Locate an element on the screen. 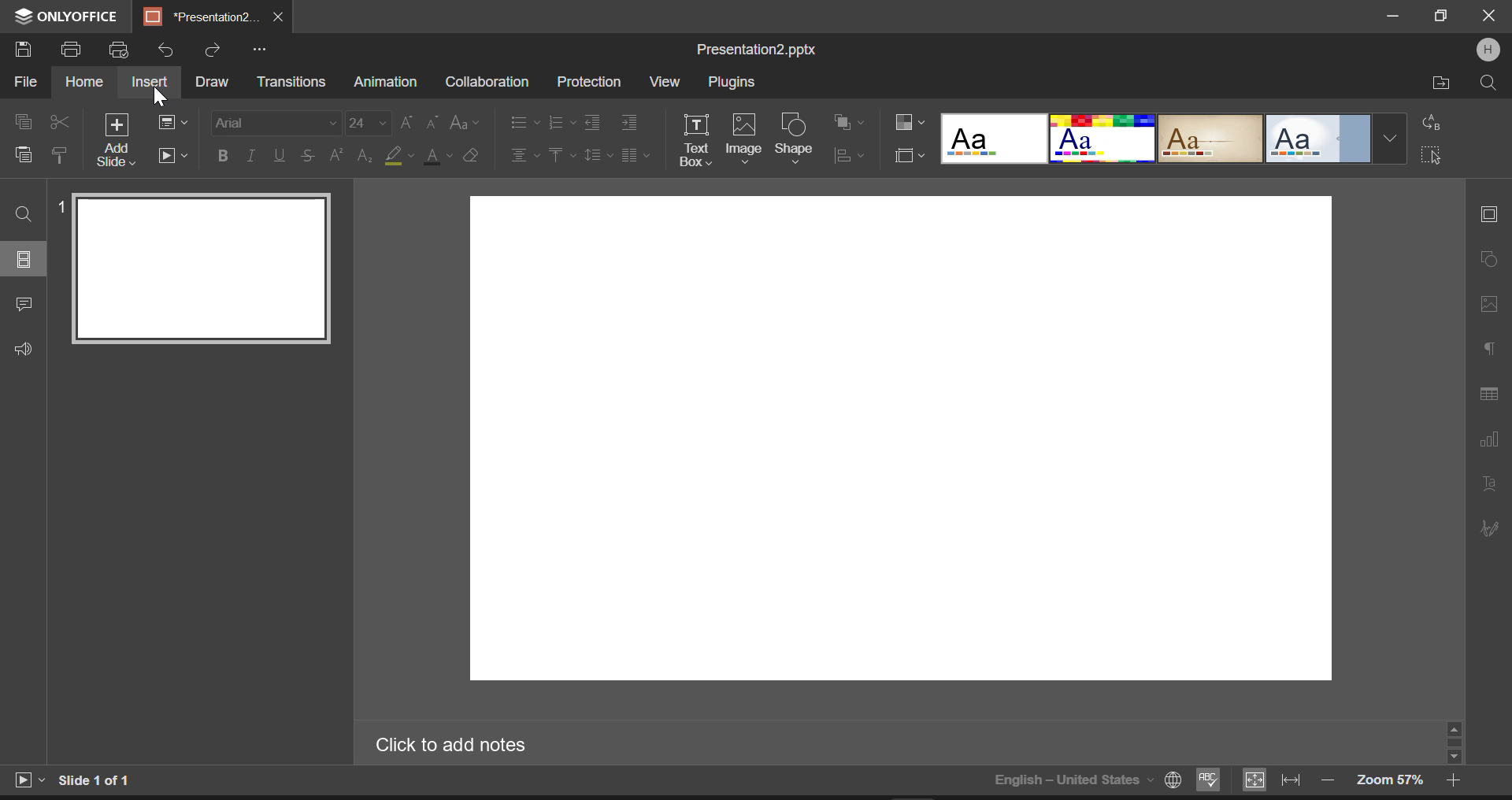  Slide Workspace is located at coordinates (913, 452).